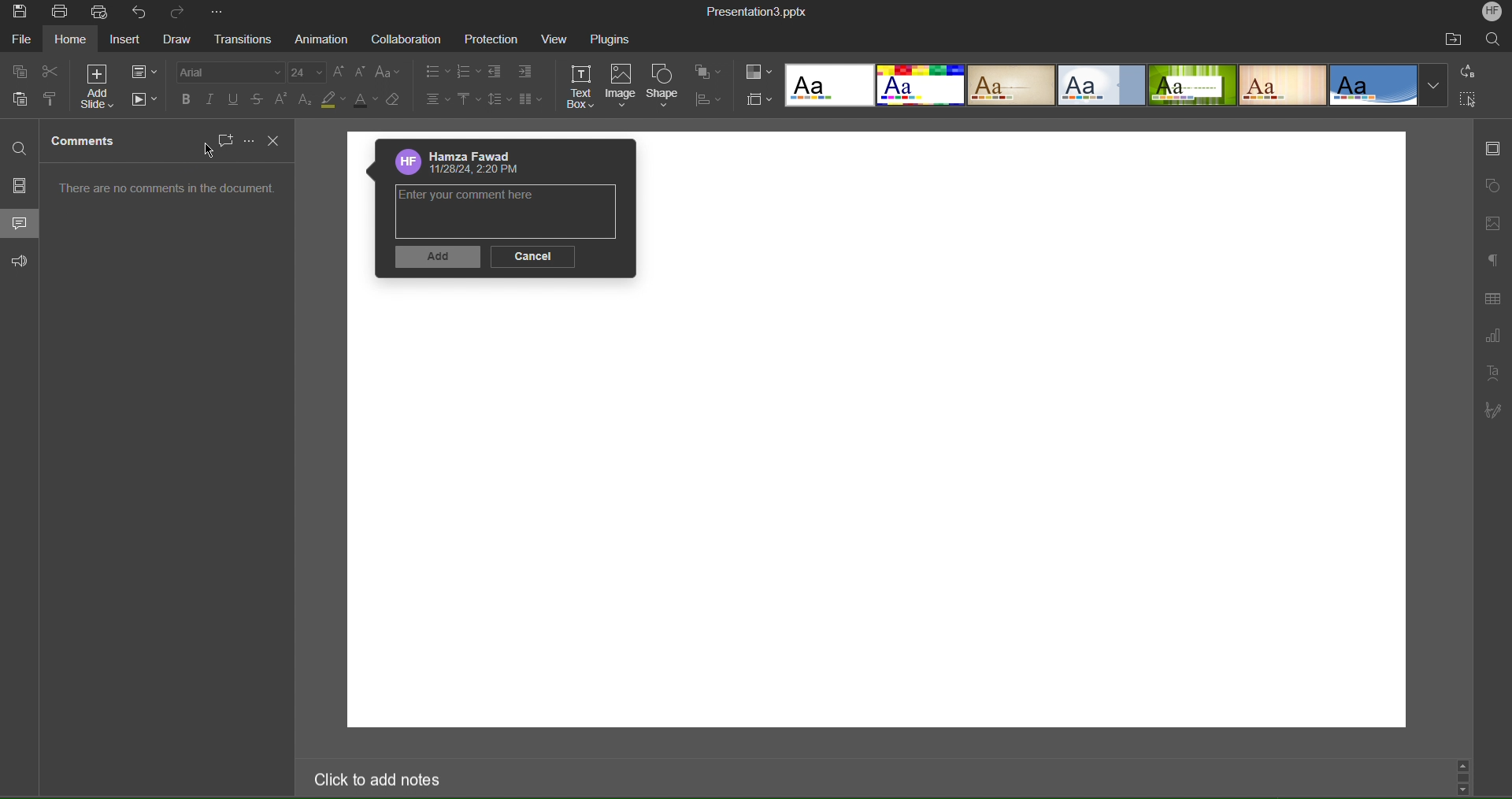 The height and width of the screenshot is (799, 1512). What do you see at coordinates (406, 40) in the screenshot?
I see `Collaboration` at bounding box center [406, 40].